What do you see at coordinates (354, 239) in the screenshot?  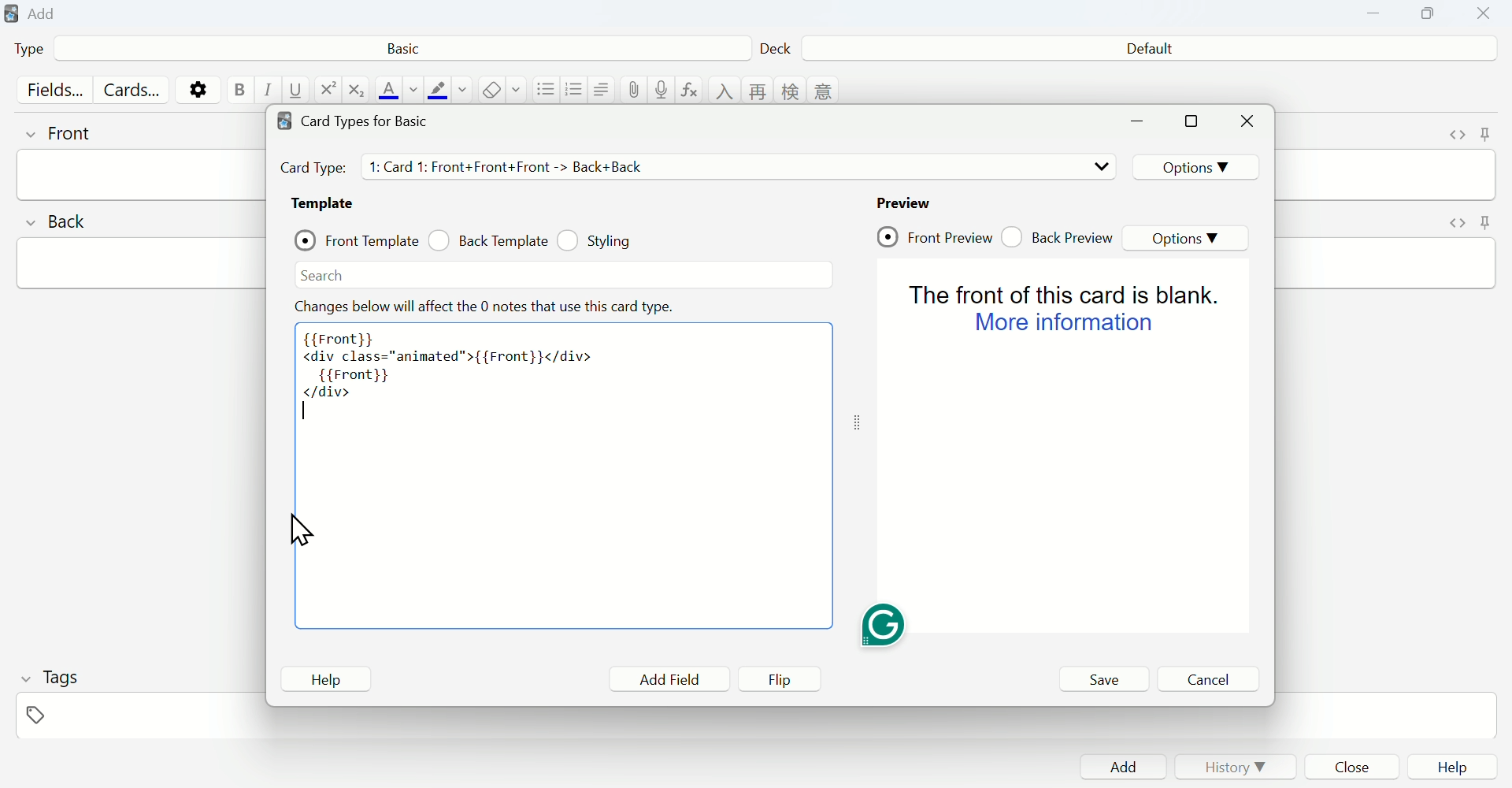 I see `Front Template` at bounding box center [354, 239].